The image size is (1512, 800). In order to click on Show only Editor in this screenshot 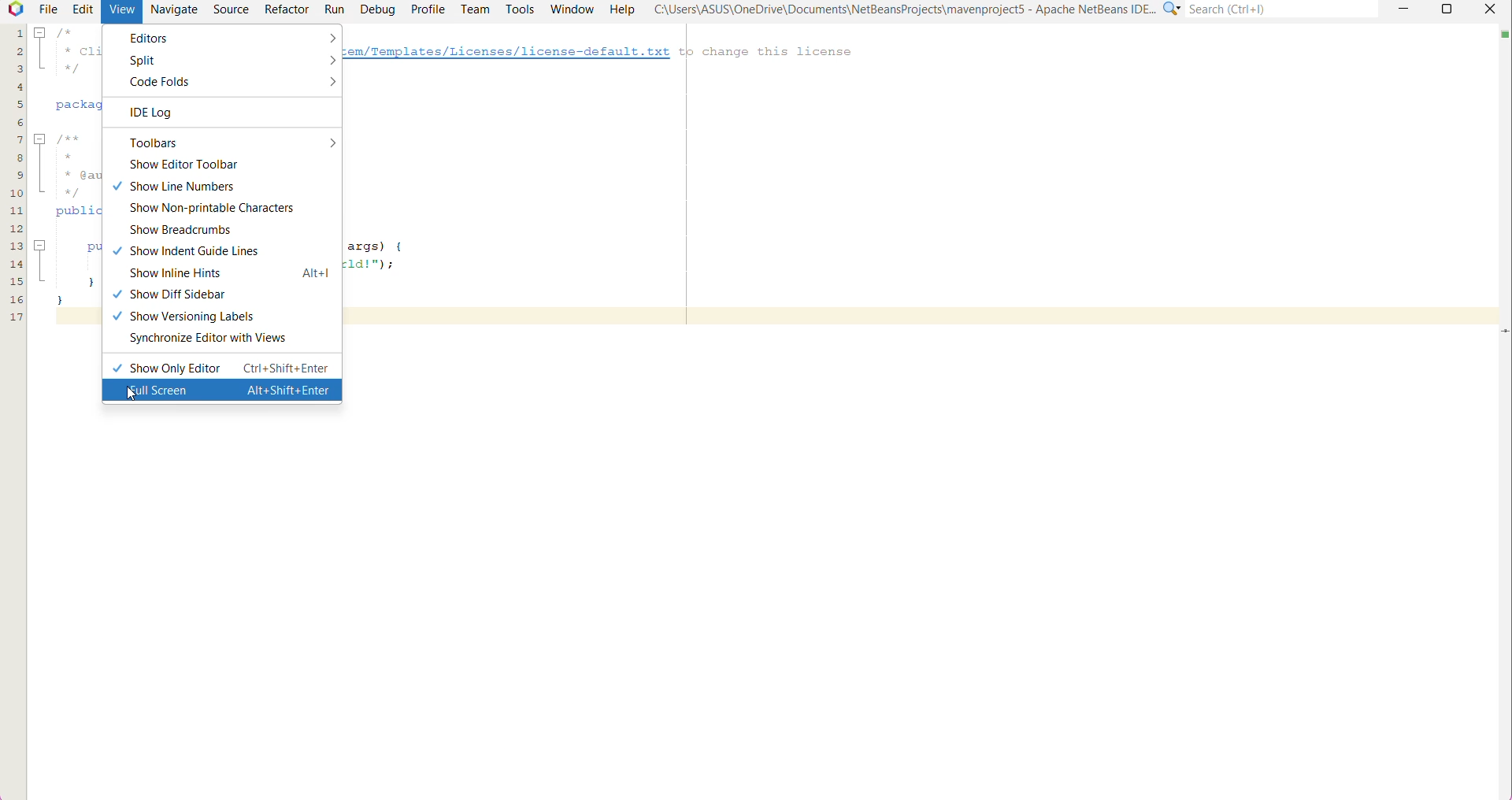, I will do `click(220, 369)`.